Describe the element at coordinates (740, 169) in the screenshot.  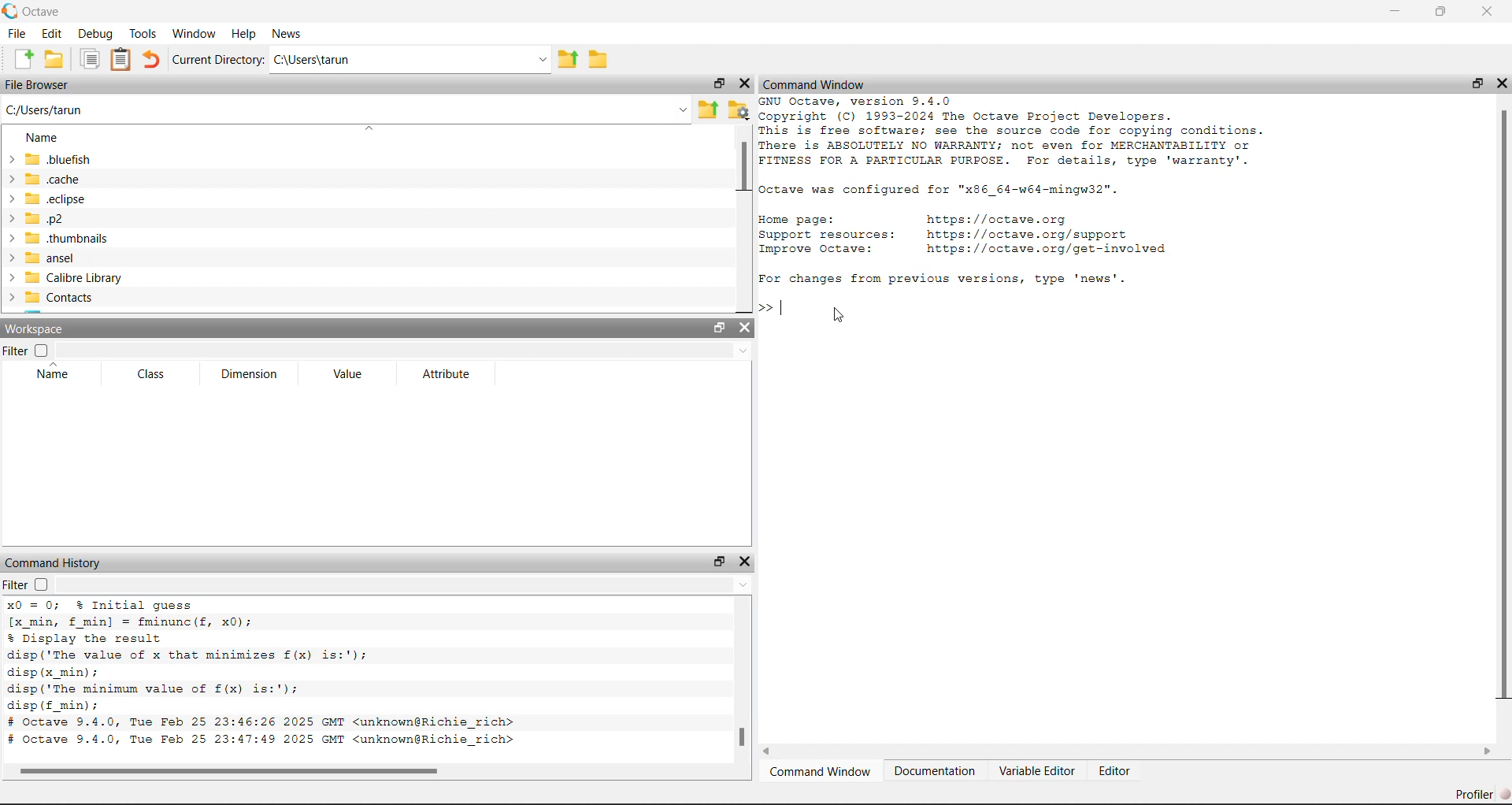
I see `Scrollbar` at that location.